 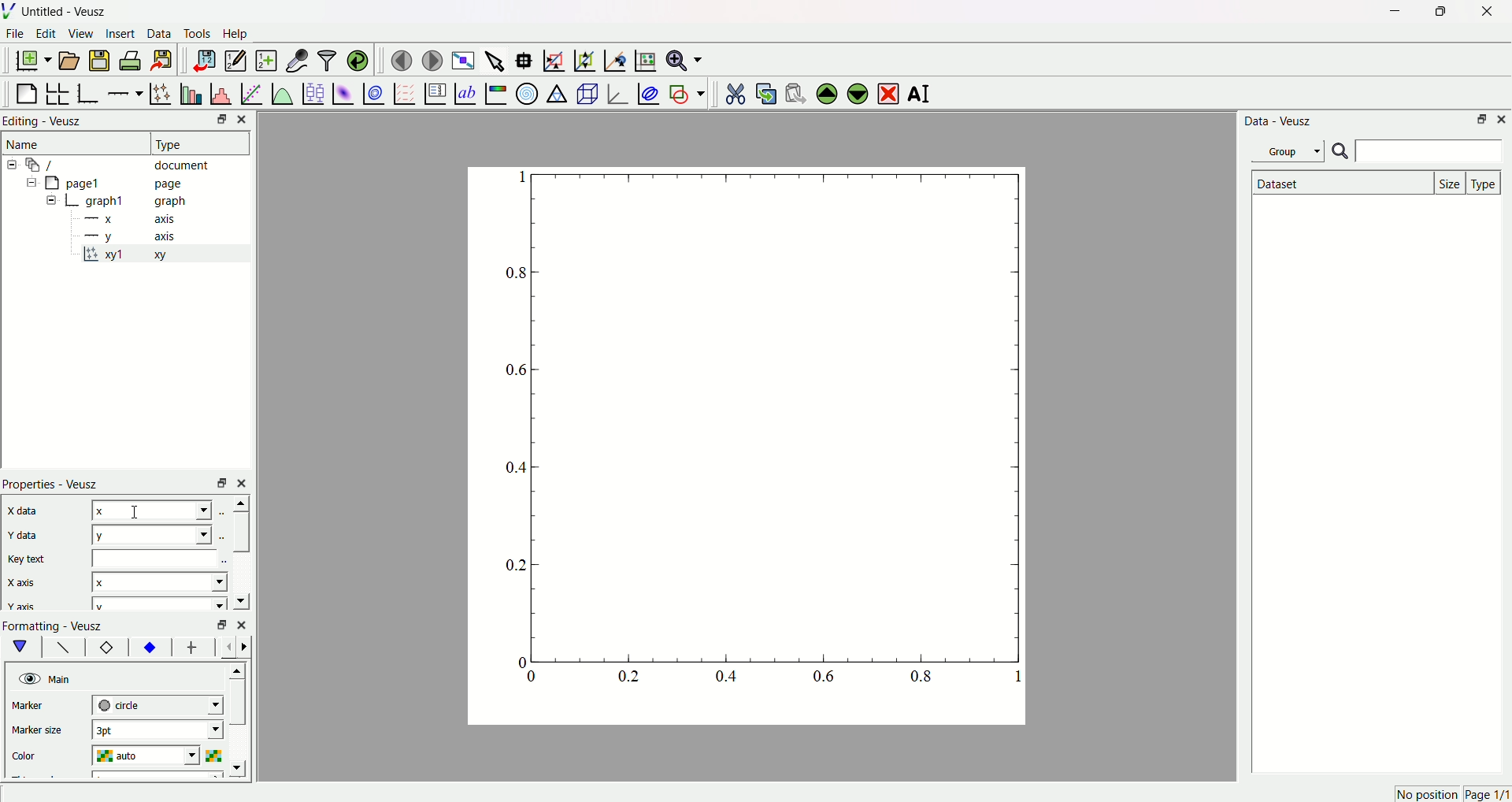 What do you see at coordinates (62, 678) in the screenshot?
I see `Main` at bounding box center [62, 678].